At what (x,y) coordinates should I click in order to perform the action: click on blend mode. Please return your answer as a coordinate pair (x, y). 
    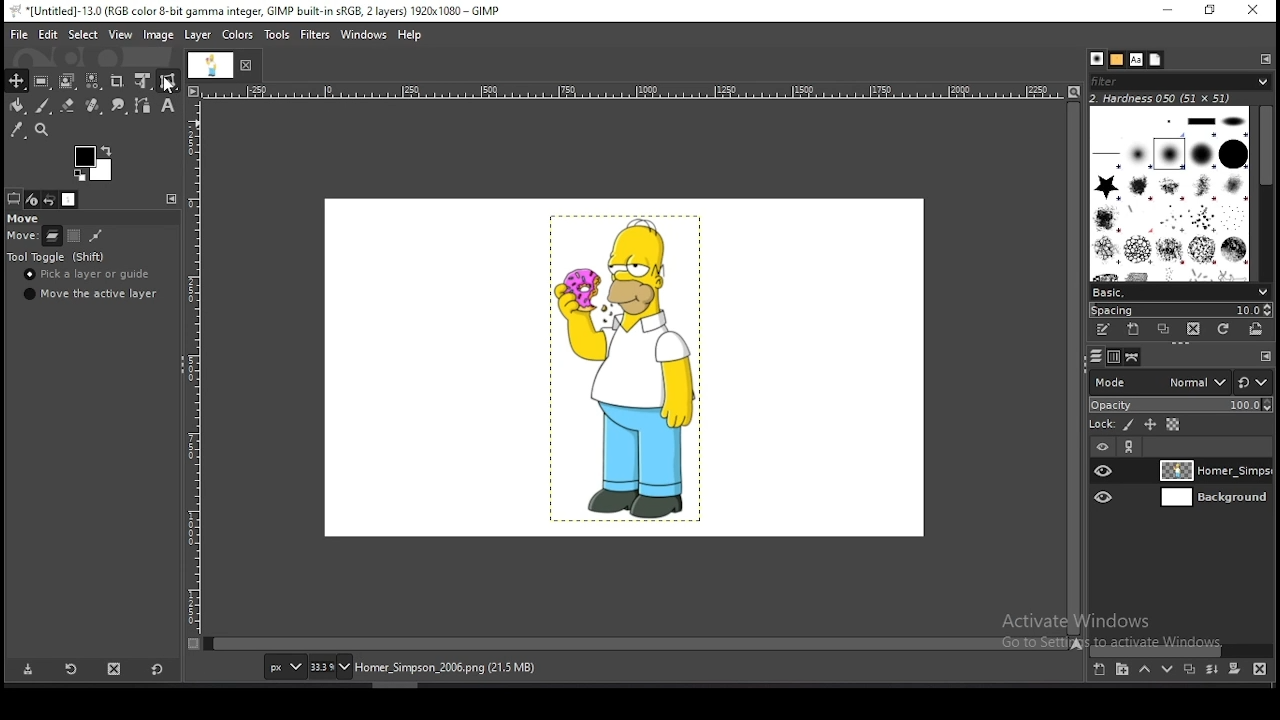
    Looking at the image, I should click on (1155, 381).